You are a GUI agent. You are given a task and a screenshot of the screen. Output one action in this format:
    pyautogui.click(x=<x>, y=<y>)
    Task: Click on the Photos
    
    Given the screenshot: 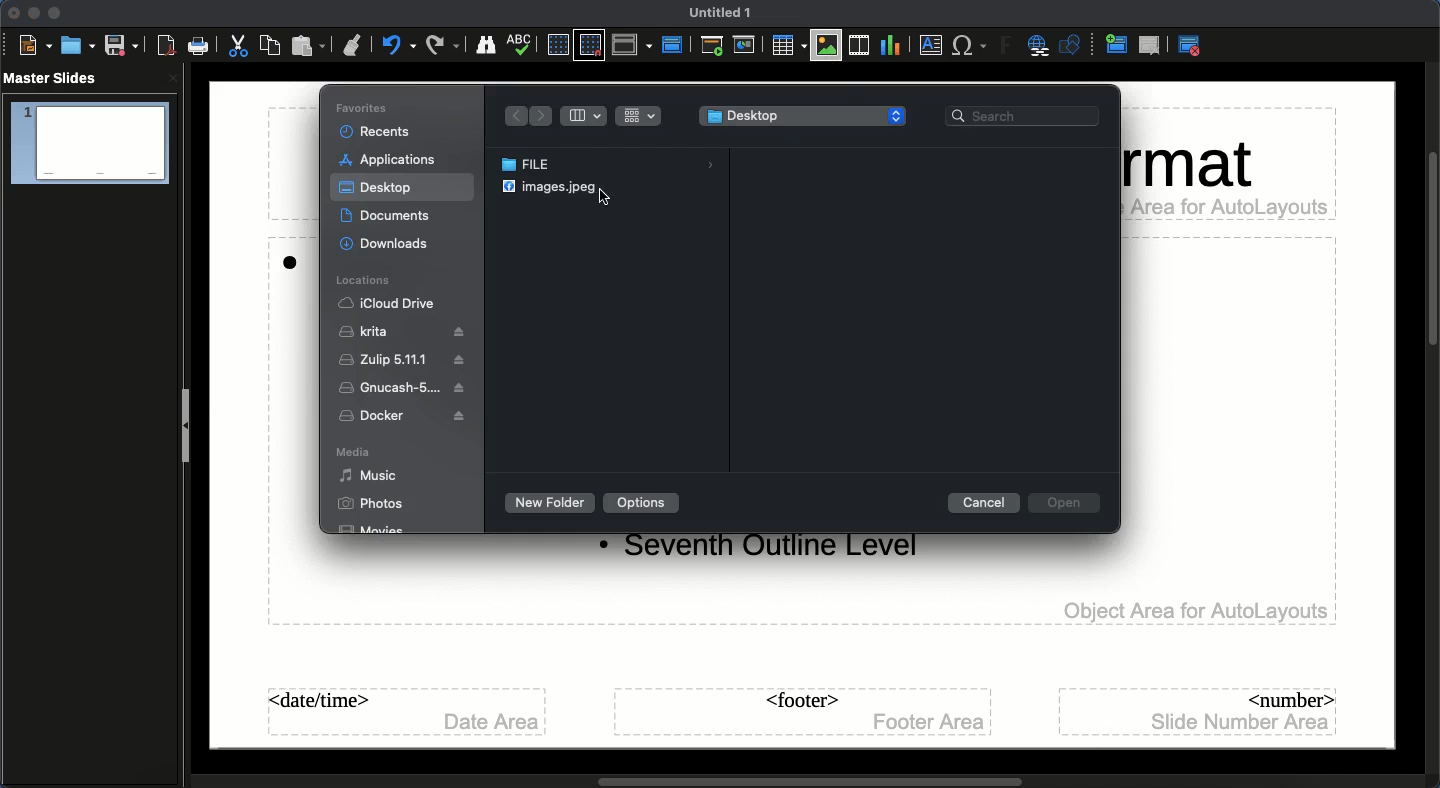 What is the action you would take?
    pyautogui.click(x=370, y=503)
    